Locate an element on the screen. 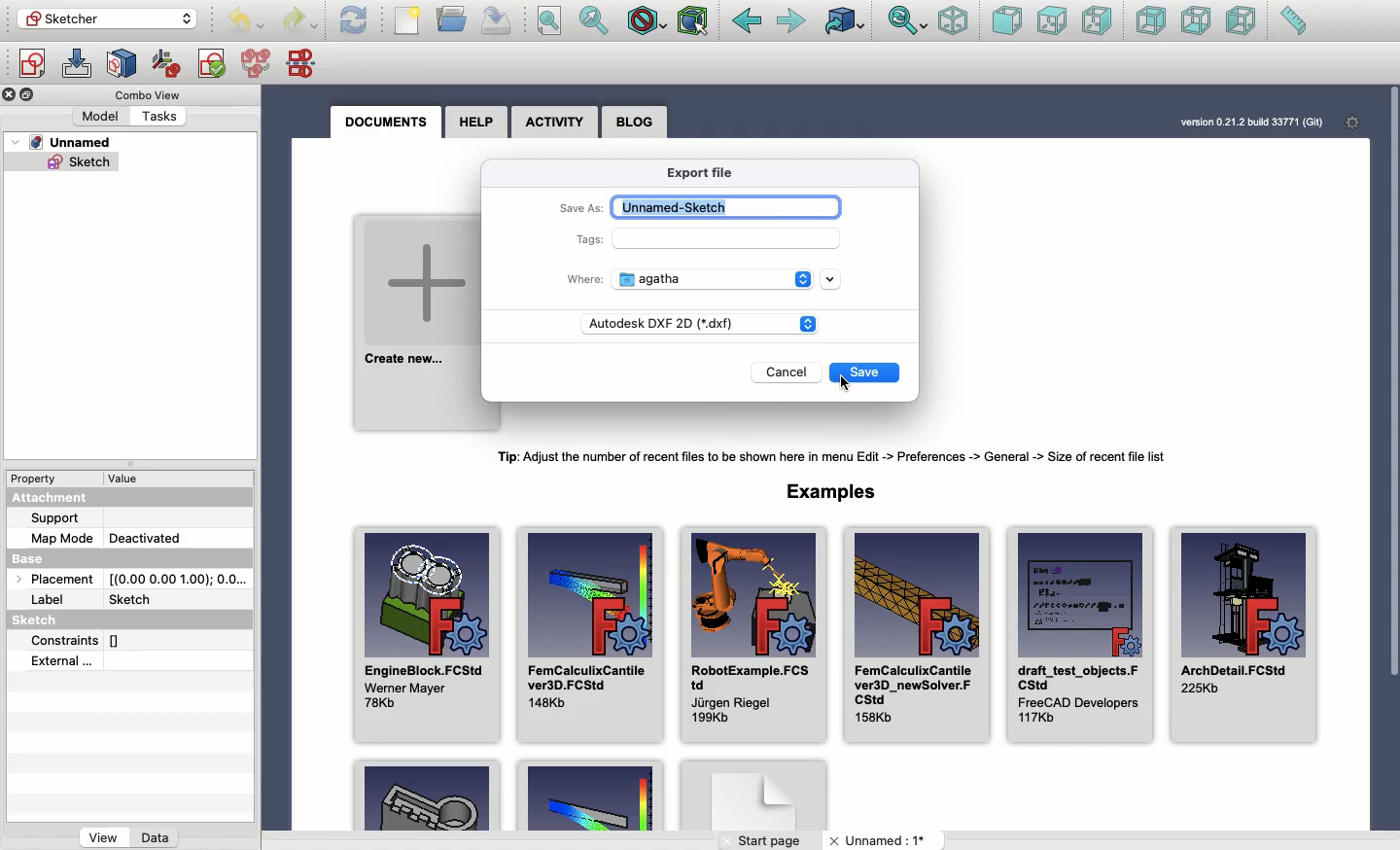  Top is located at coordinates (1051, 20).